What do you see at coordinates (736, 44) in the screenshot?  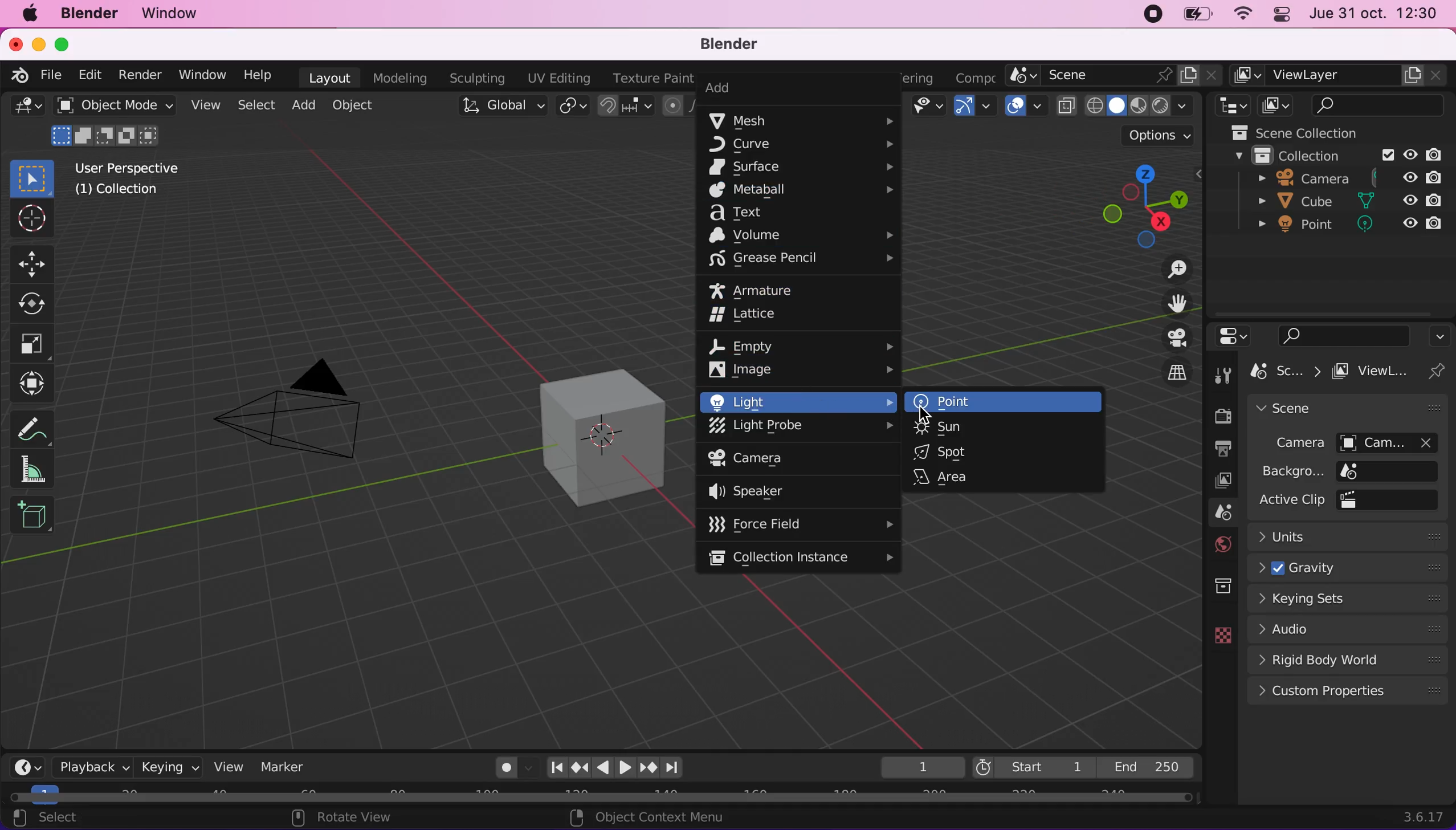 I see `blender` at bounding box center [736, 44].